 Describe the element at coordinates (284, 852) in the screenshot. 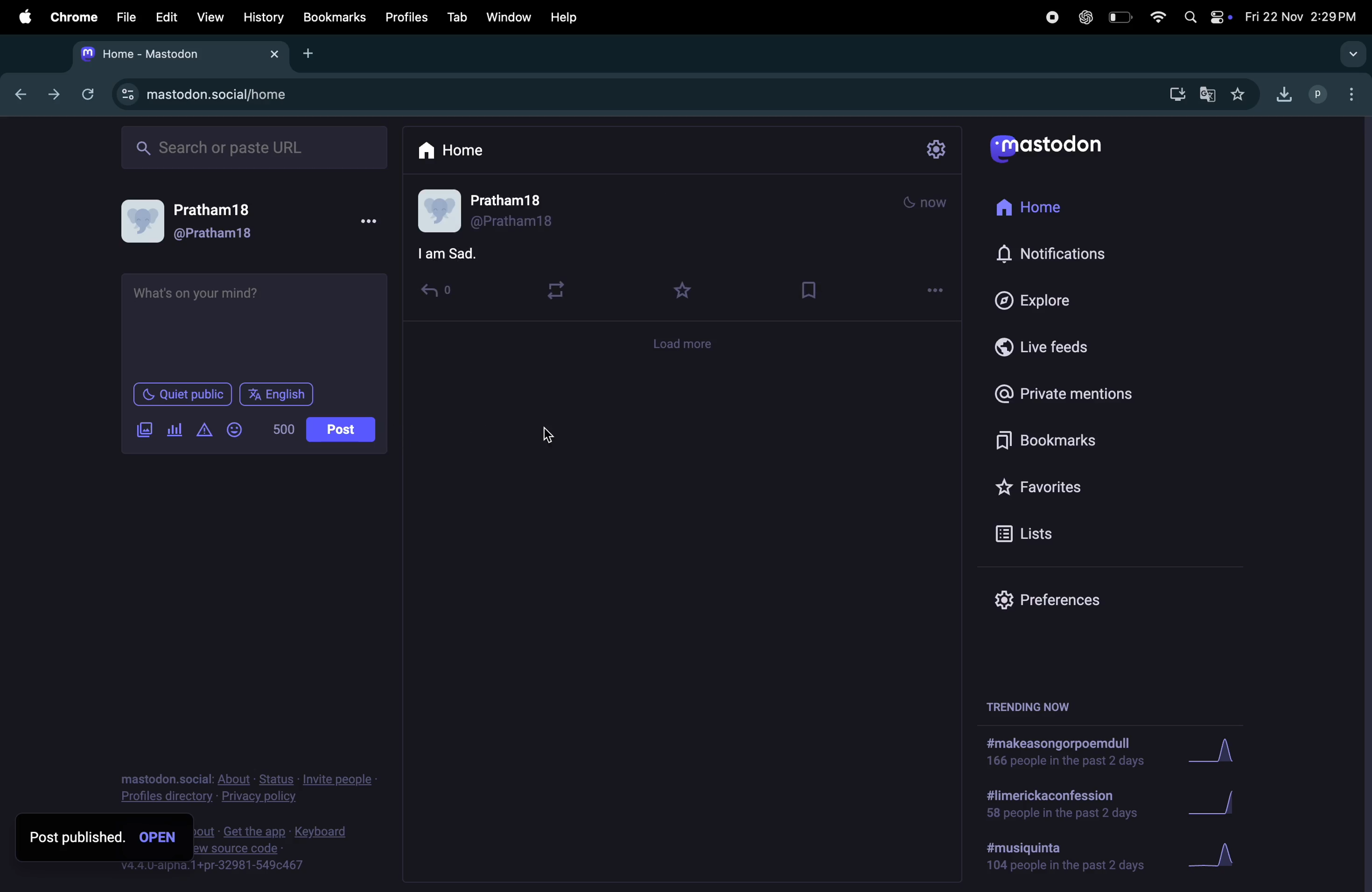

I see `source codes` at that location.